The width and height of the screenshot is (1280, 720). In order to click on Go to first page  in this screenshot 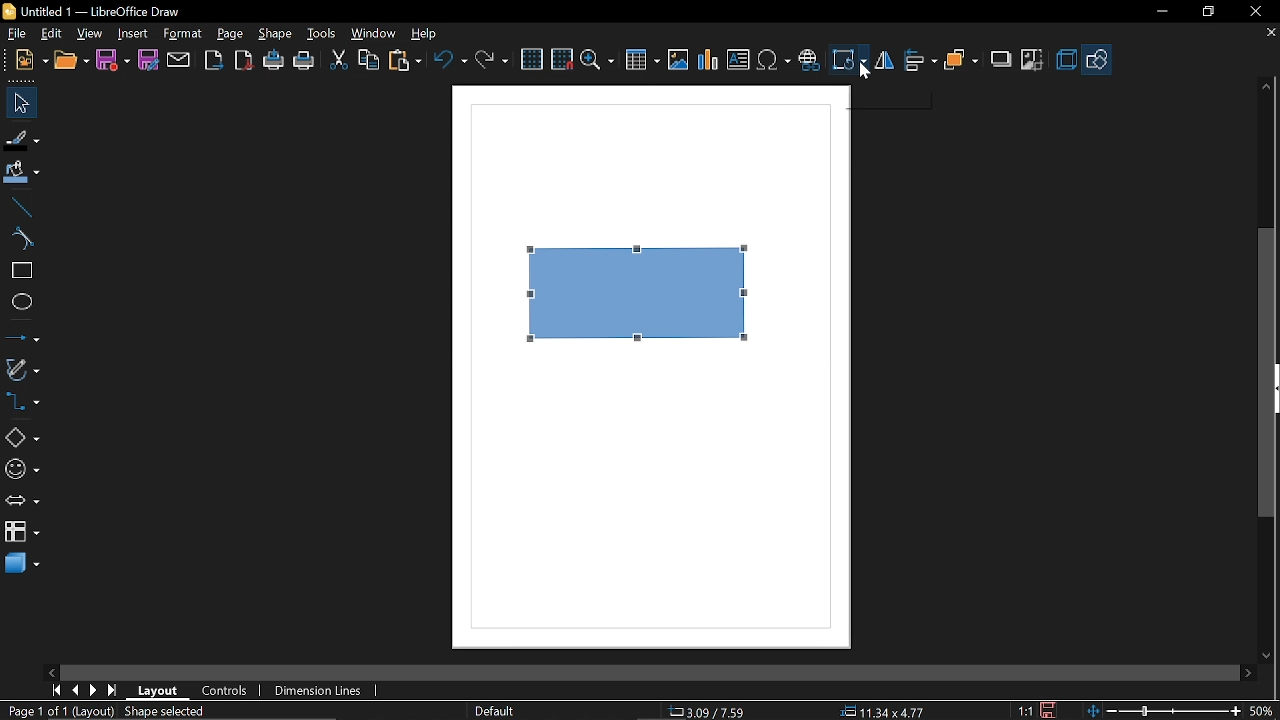, I will do `click(56, 690)`.